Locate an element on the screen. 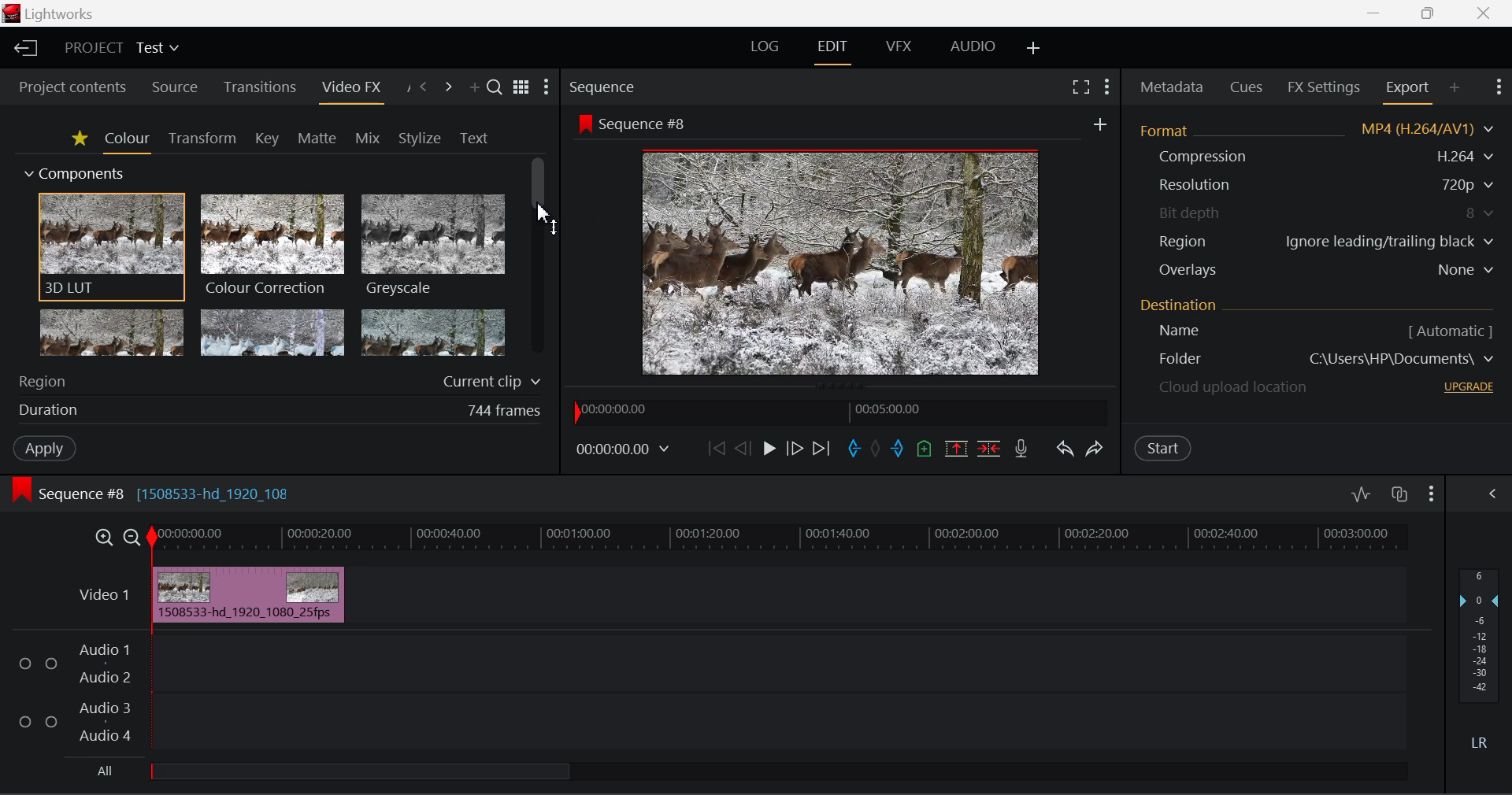 The height and width of the screenshot is (795, 1512). Colour is located at coordinates (124, 139).